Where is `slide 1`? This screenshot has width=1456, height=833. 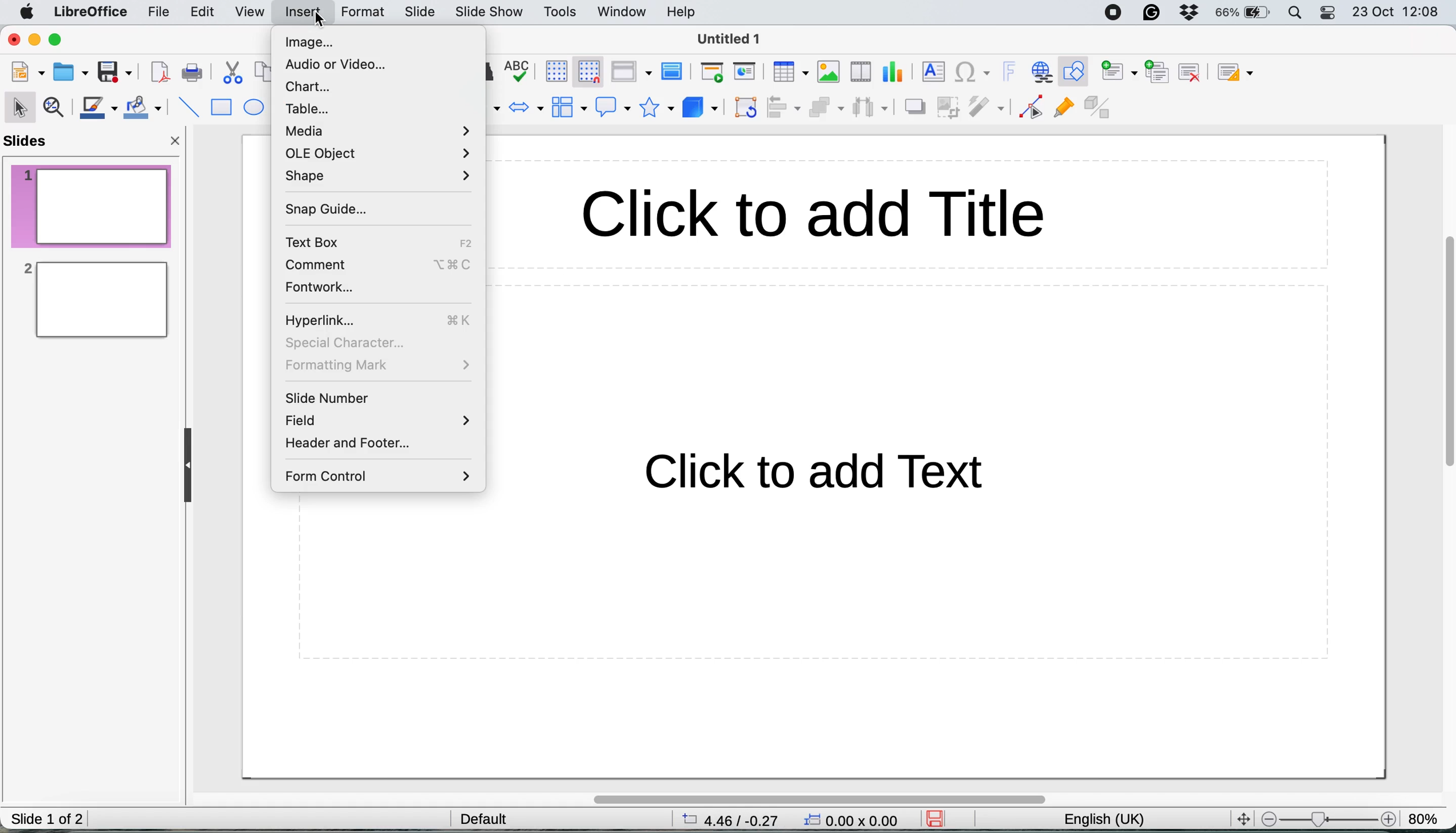 slide 1 is located at coordinates (92, 205).